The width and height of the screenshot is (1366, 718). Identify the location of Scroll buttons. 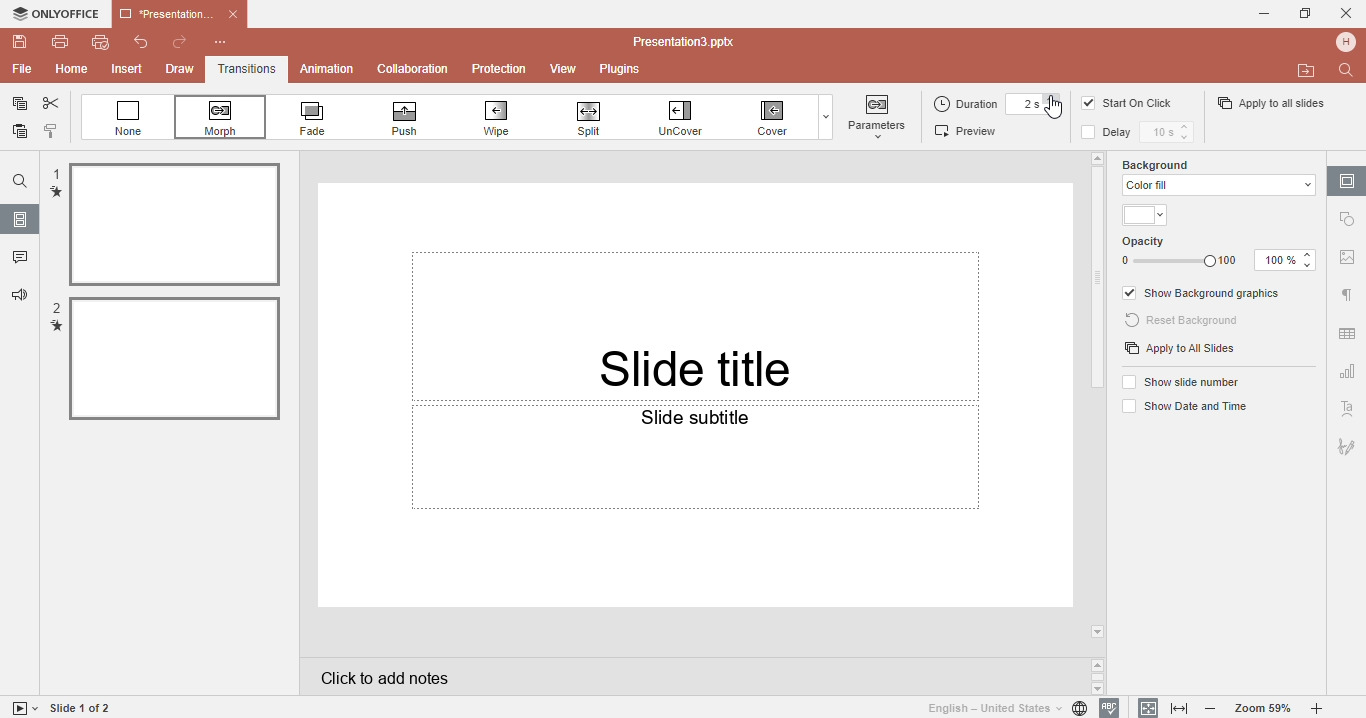
(1099, 676).